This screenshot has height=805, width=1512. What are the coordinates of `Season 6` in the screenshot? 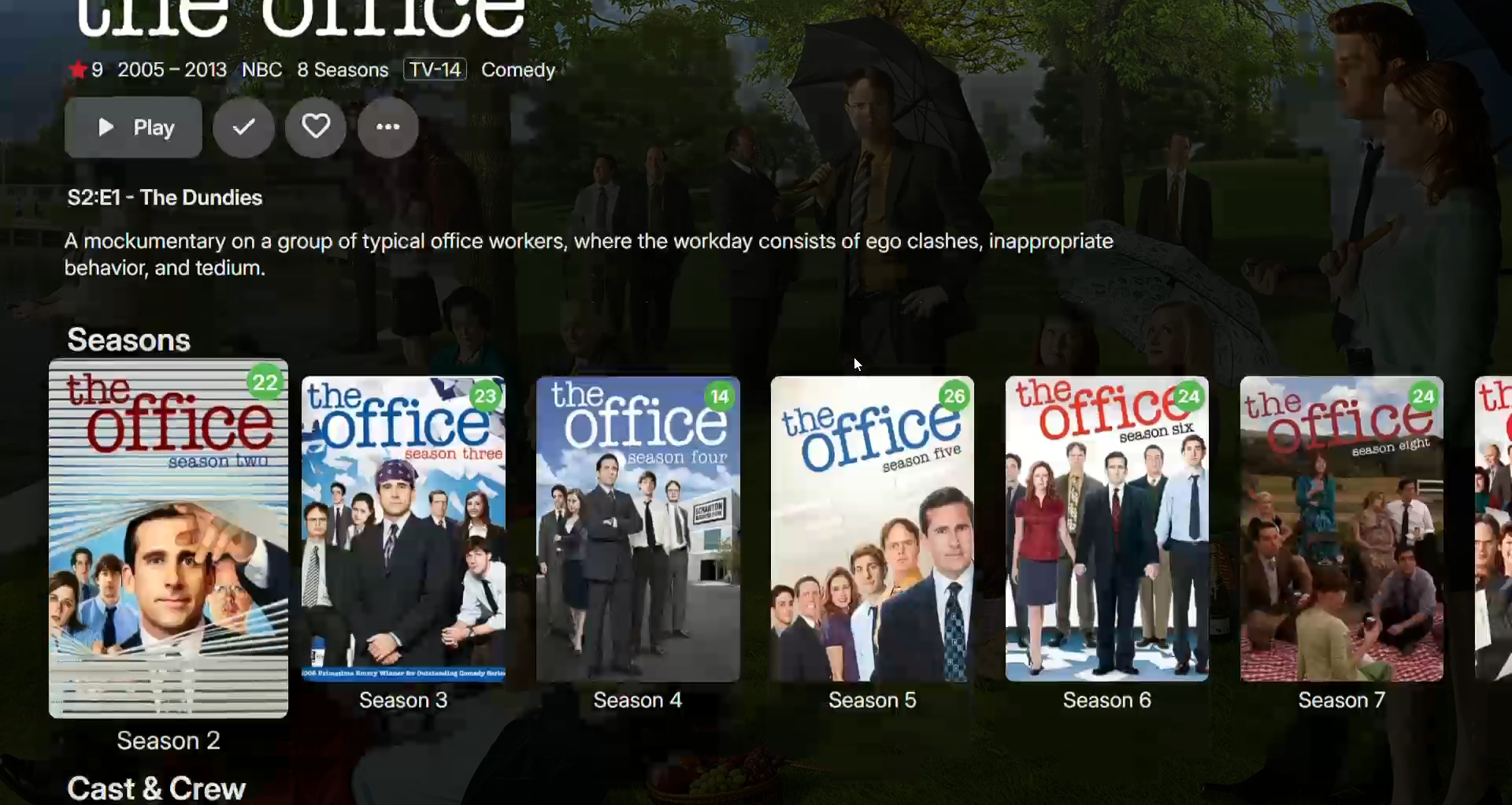 It's located at (1112, 548).